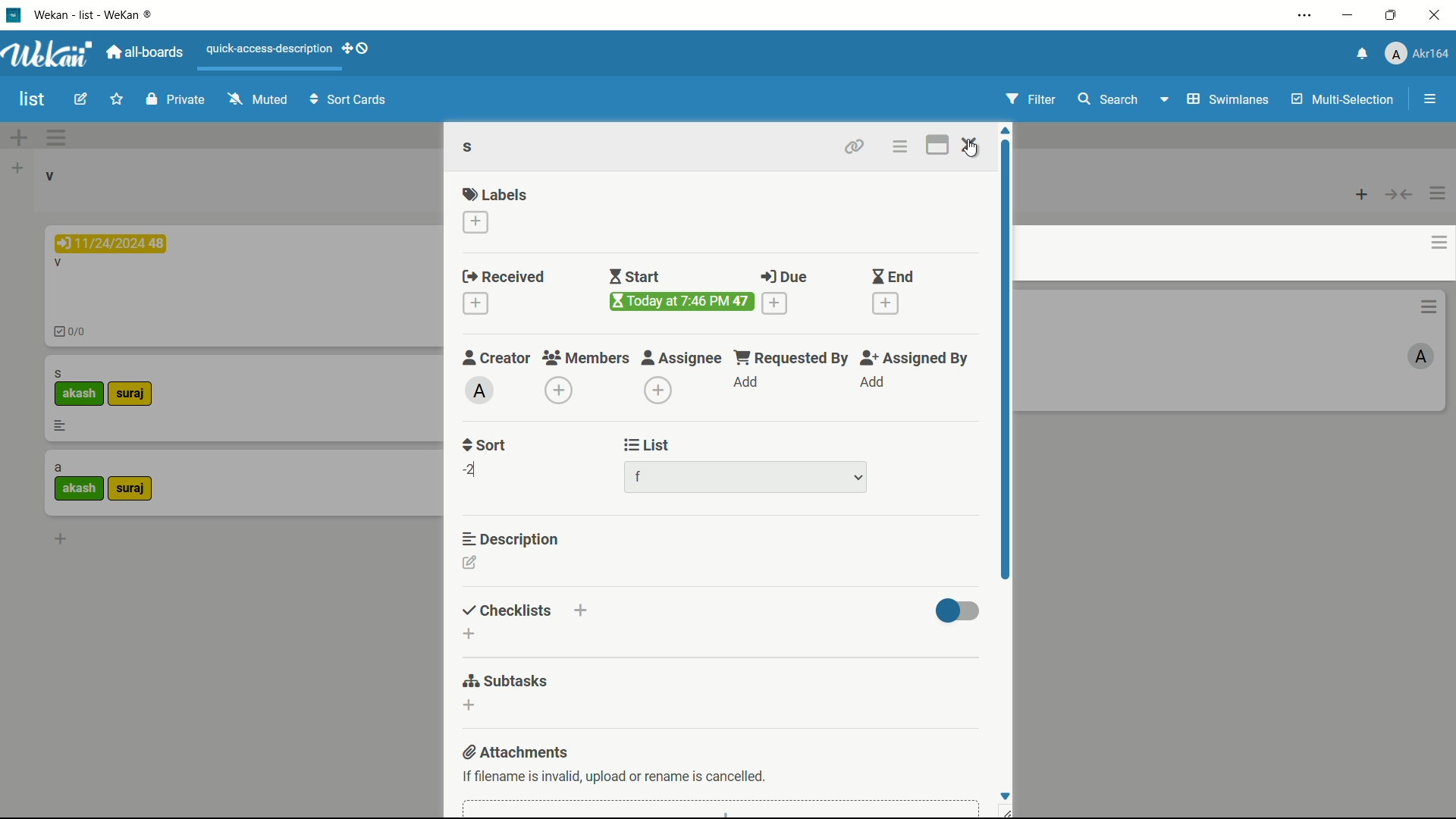 The image size is (1456, 819). What do you see at coordinates (885, 302) in the screenshot?
I see `add end date` at bounding box center [885, 302].